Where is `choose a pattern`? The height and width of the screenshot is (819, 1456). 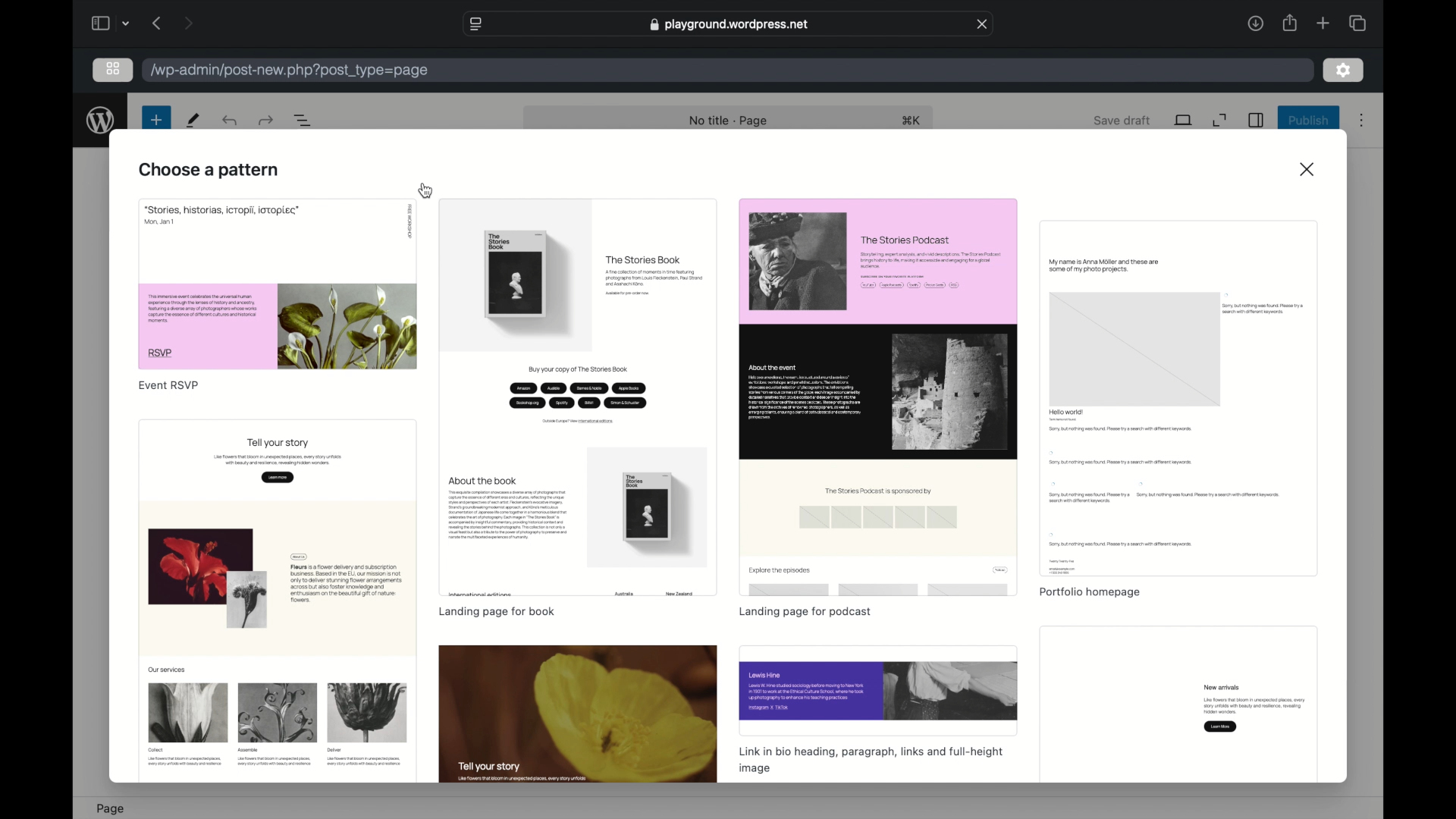
choose a pattern is located at coordinates (210, 171).